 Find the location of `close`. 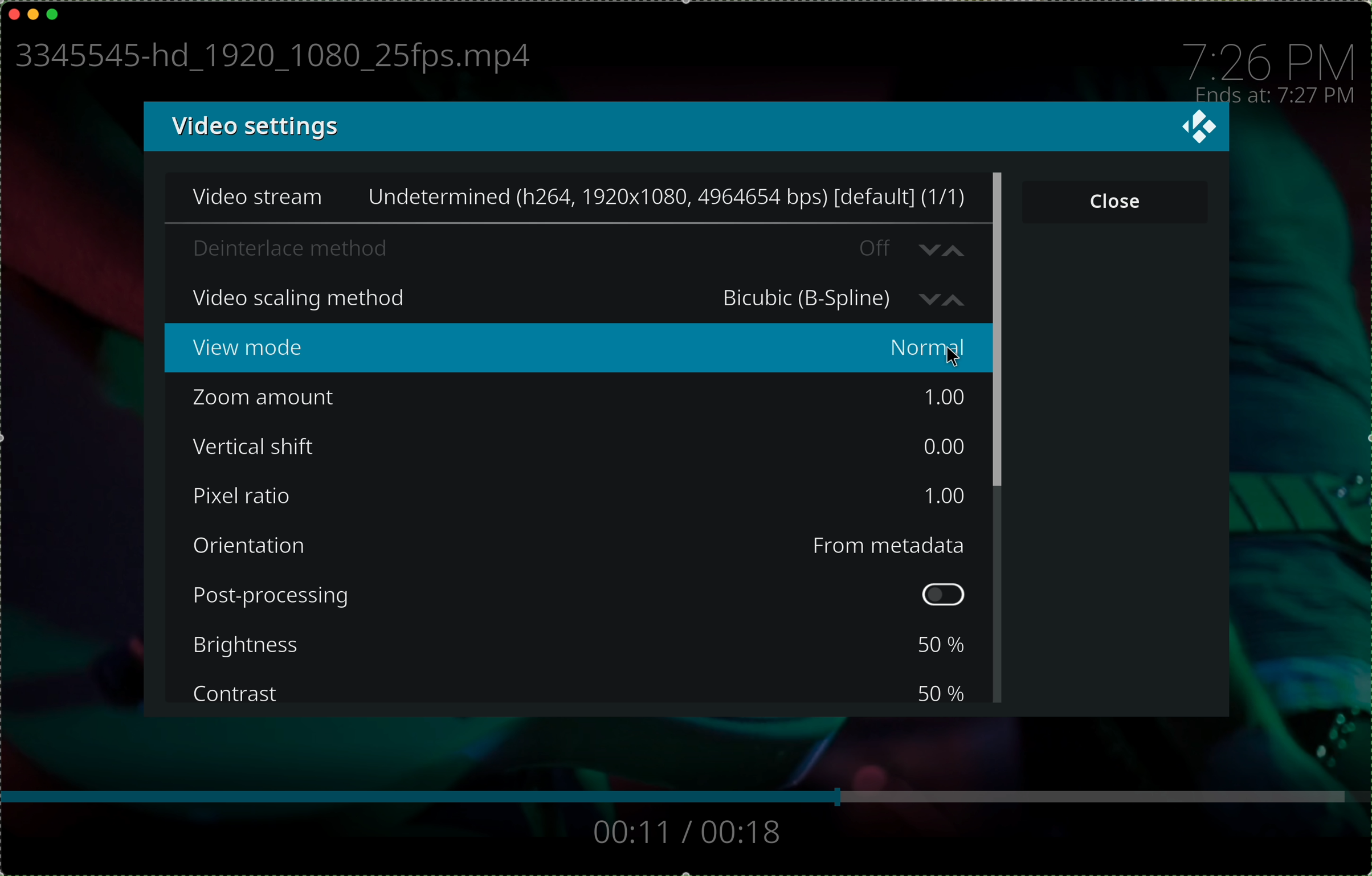

close is located at coordinates (1200, 127).